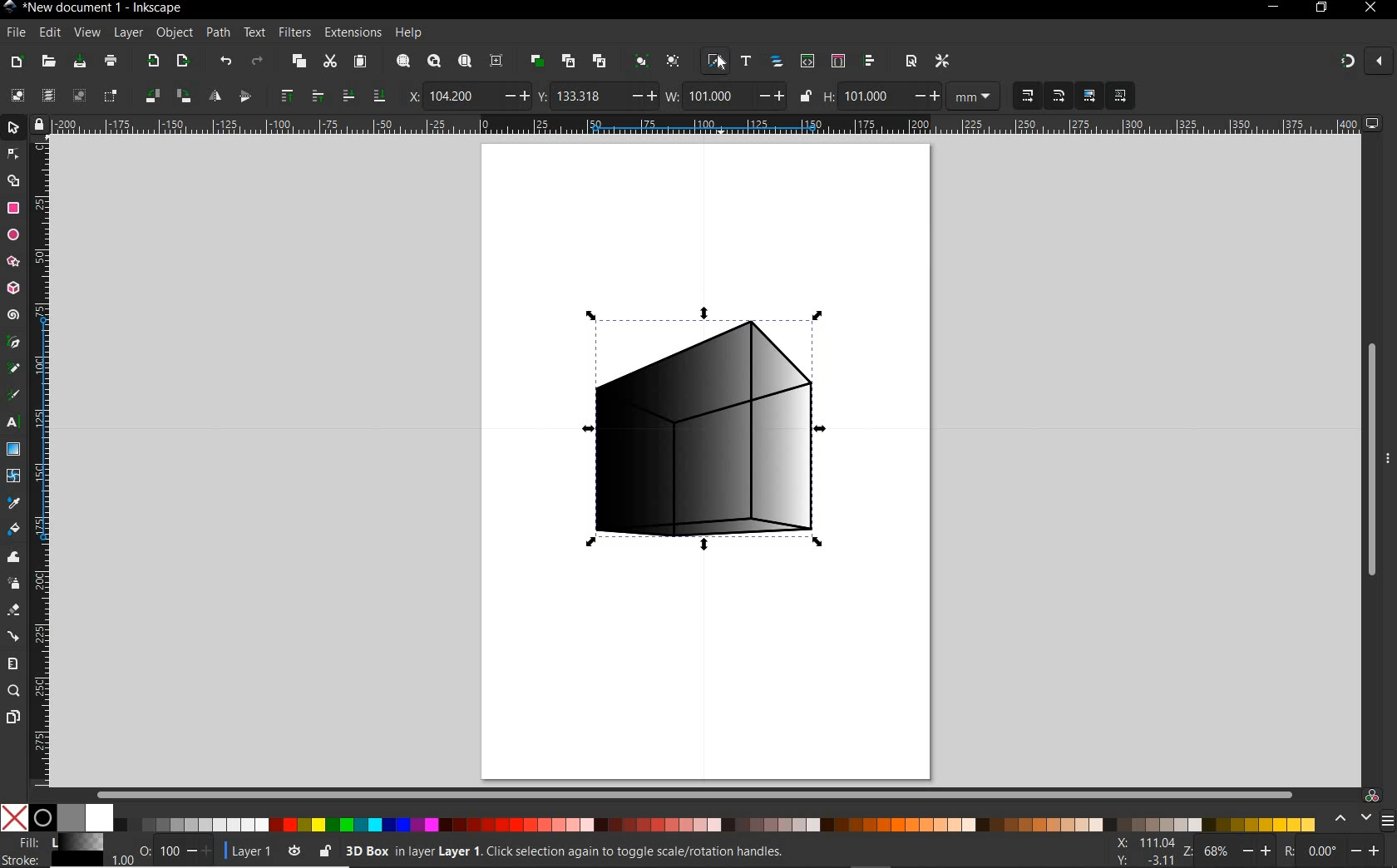 This screenshot has height=868, width=1397. What do you see at coordinates (924, 95) in the screenshot?
I see `increase/decrease` at bounding box center [924, 95].